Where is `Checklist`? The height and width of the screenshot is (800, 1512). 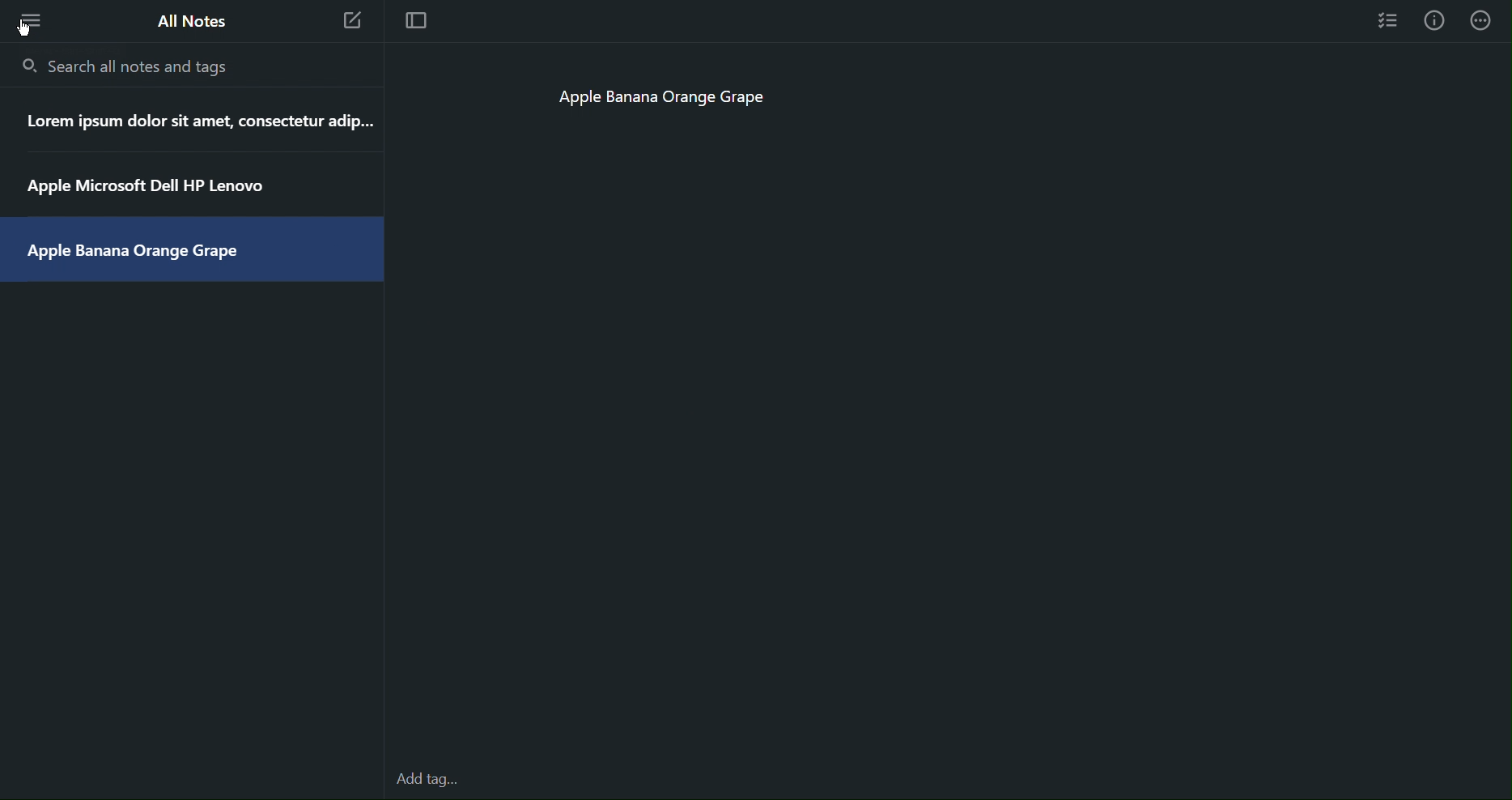 Checklist is located at coordinates (1389, 19).